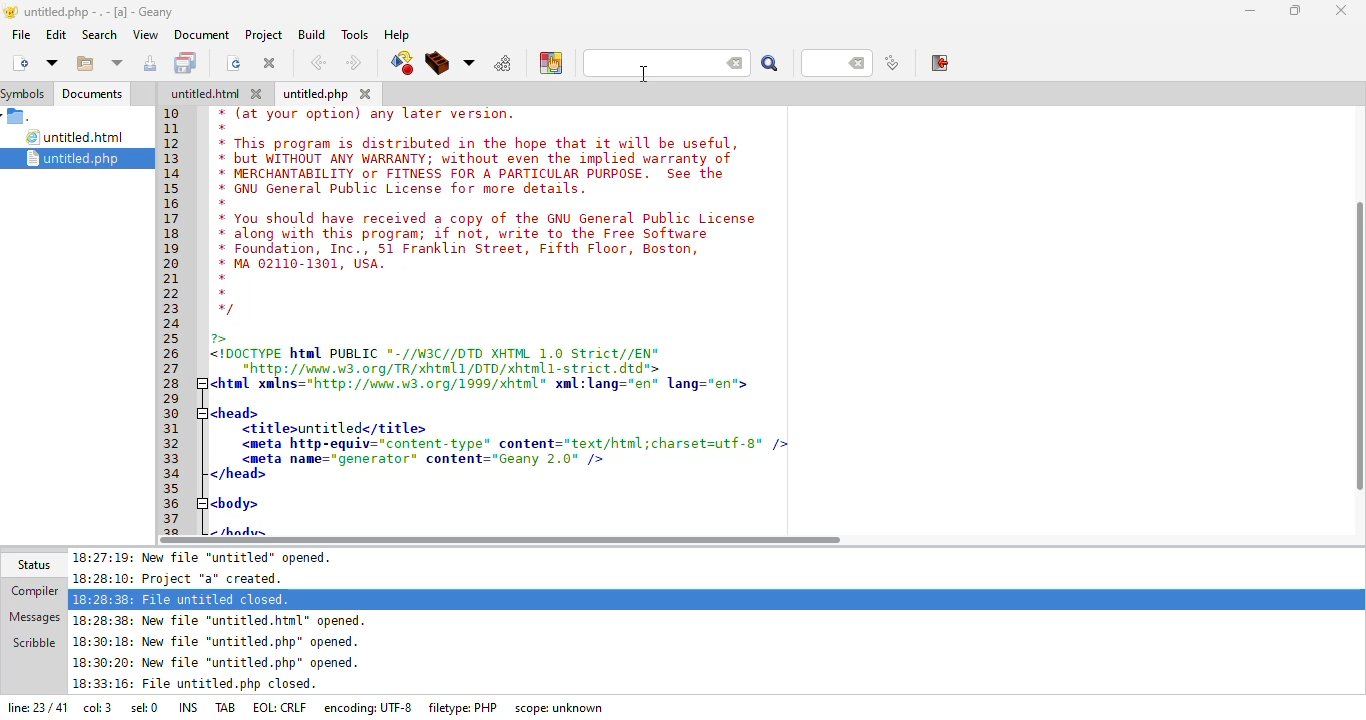 The height and width of the screenshot is (720, 1366). What do you see at coordinates (404, 190) in the screenshot?
I see `* GNU General Public License for more details.` at bounding box center [404, 190].